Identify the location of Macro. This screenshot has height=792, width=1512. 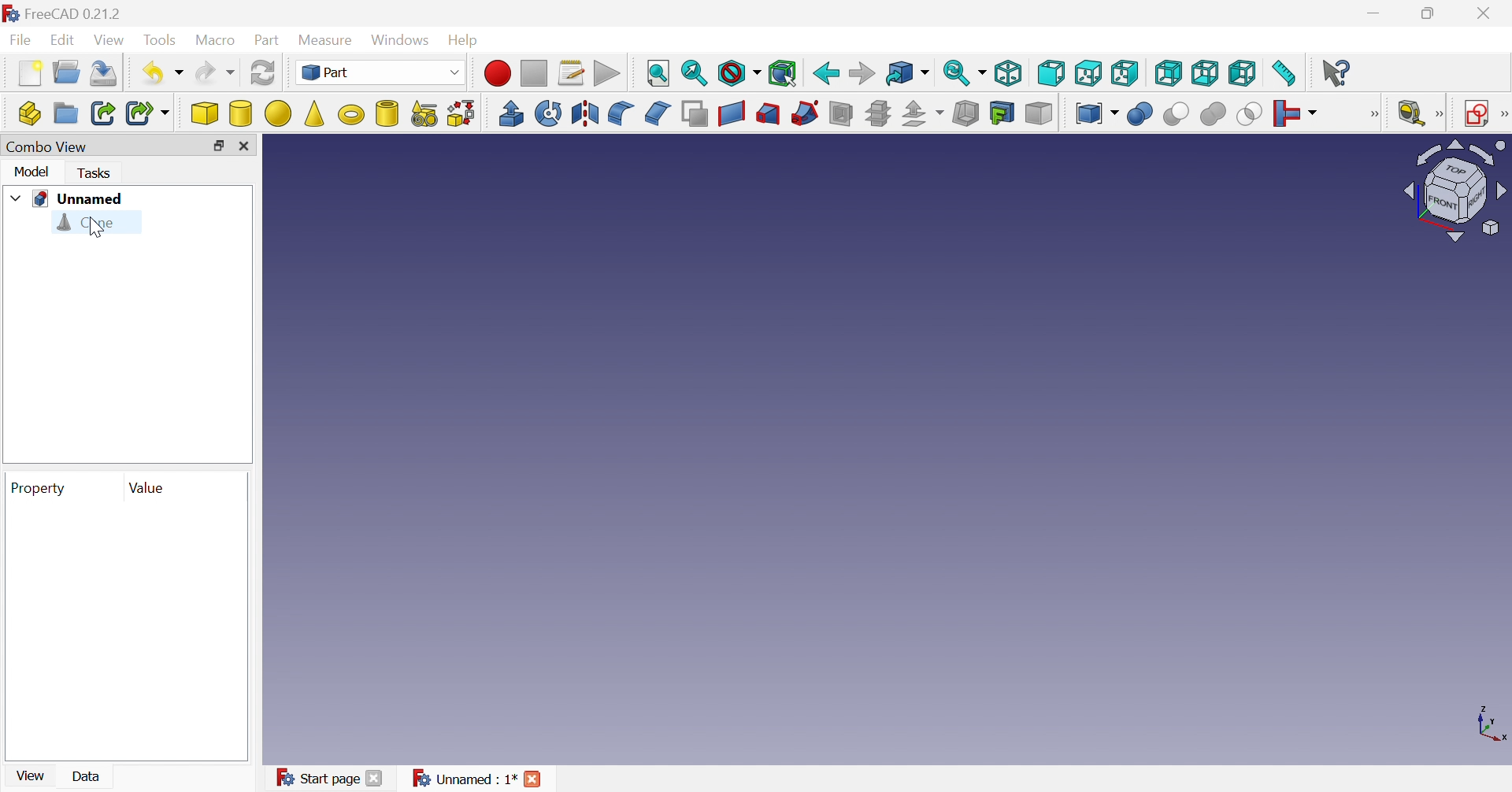
(218, 40).